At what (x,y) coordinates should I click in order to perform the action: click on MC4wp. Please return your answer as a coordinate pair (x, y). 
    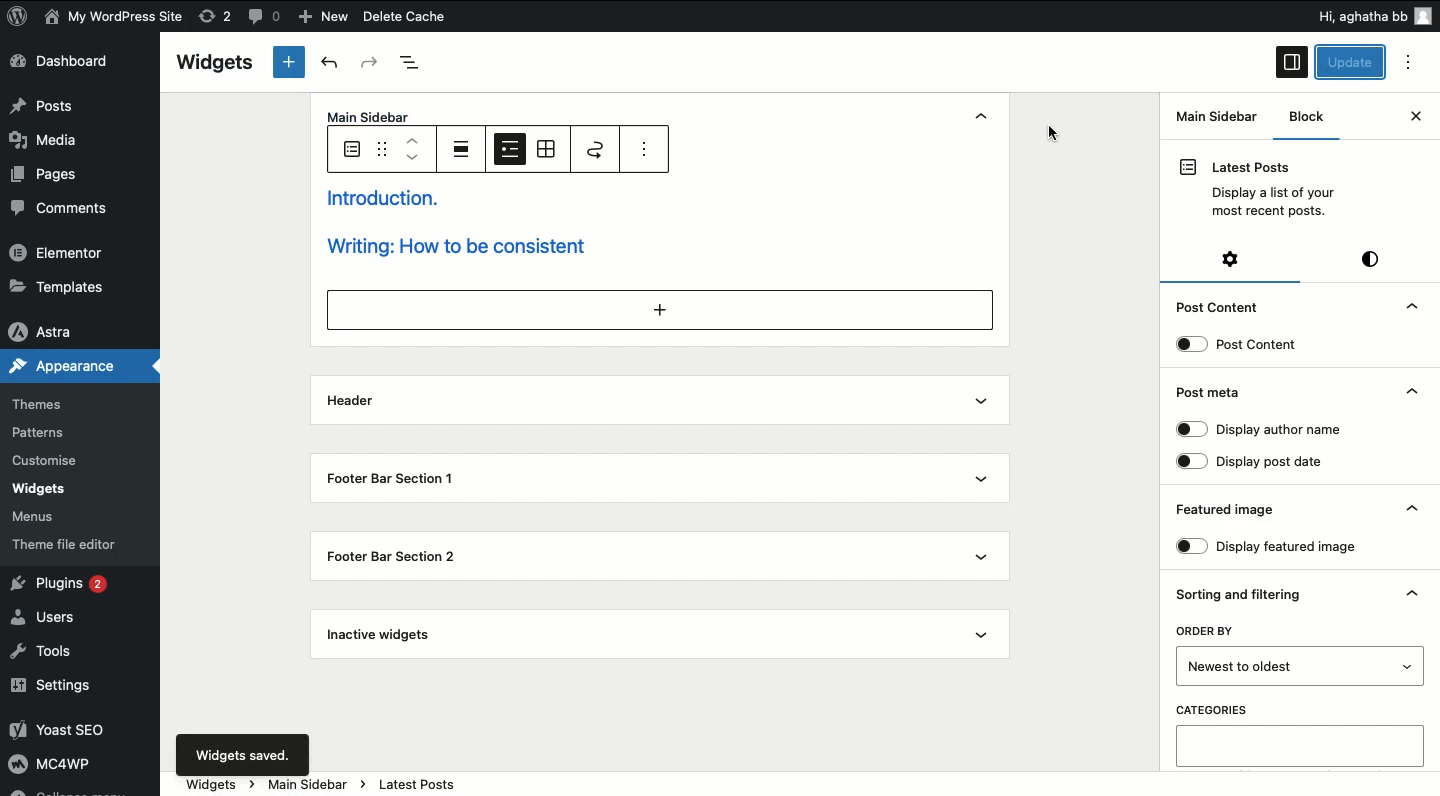
    Looking at the image, I should click on (64, 767).